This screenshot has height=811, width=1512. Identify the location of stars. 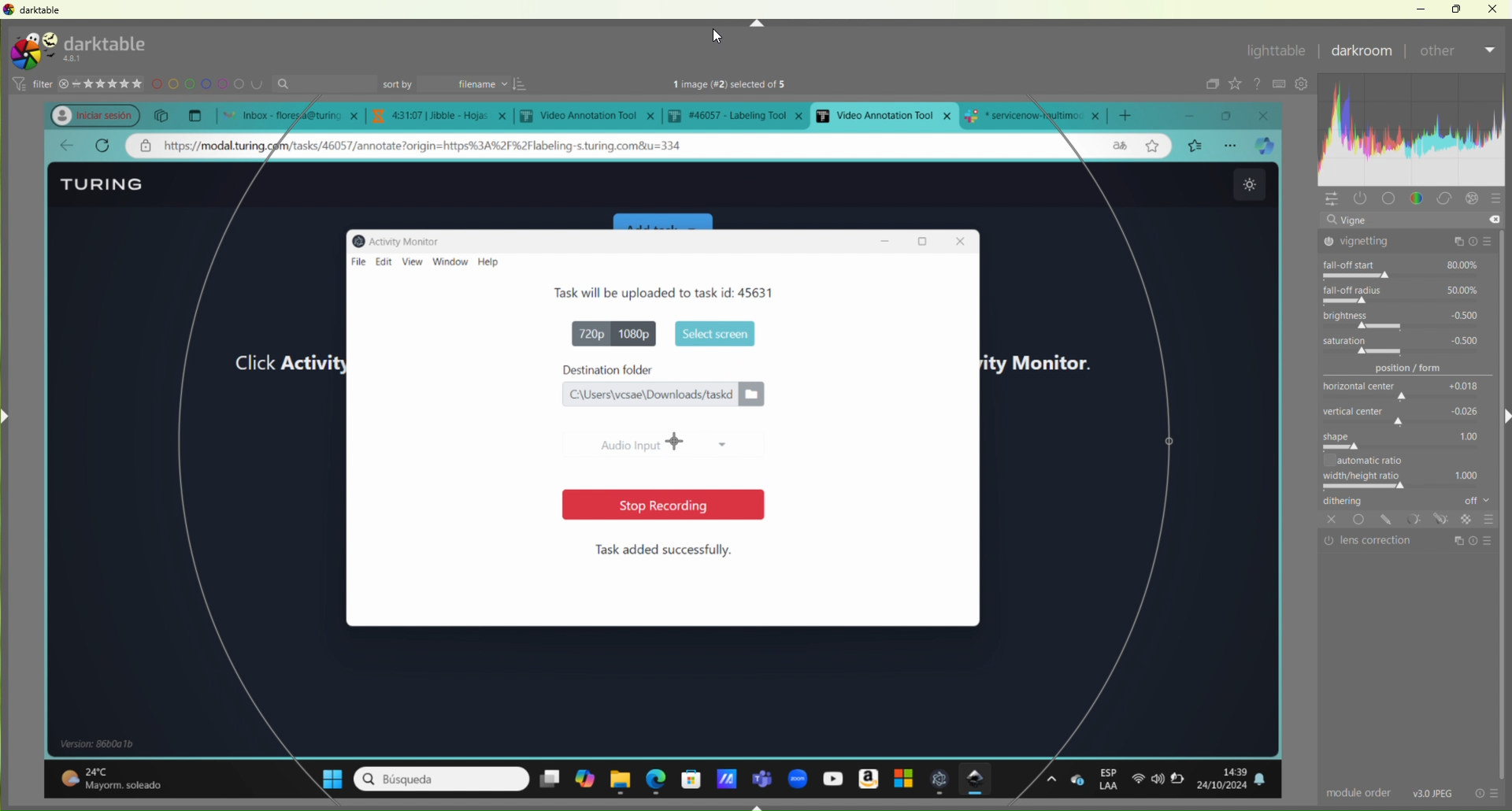
(103, 82).